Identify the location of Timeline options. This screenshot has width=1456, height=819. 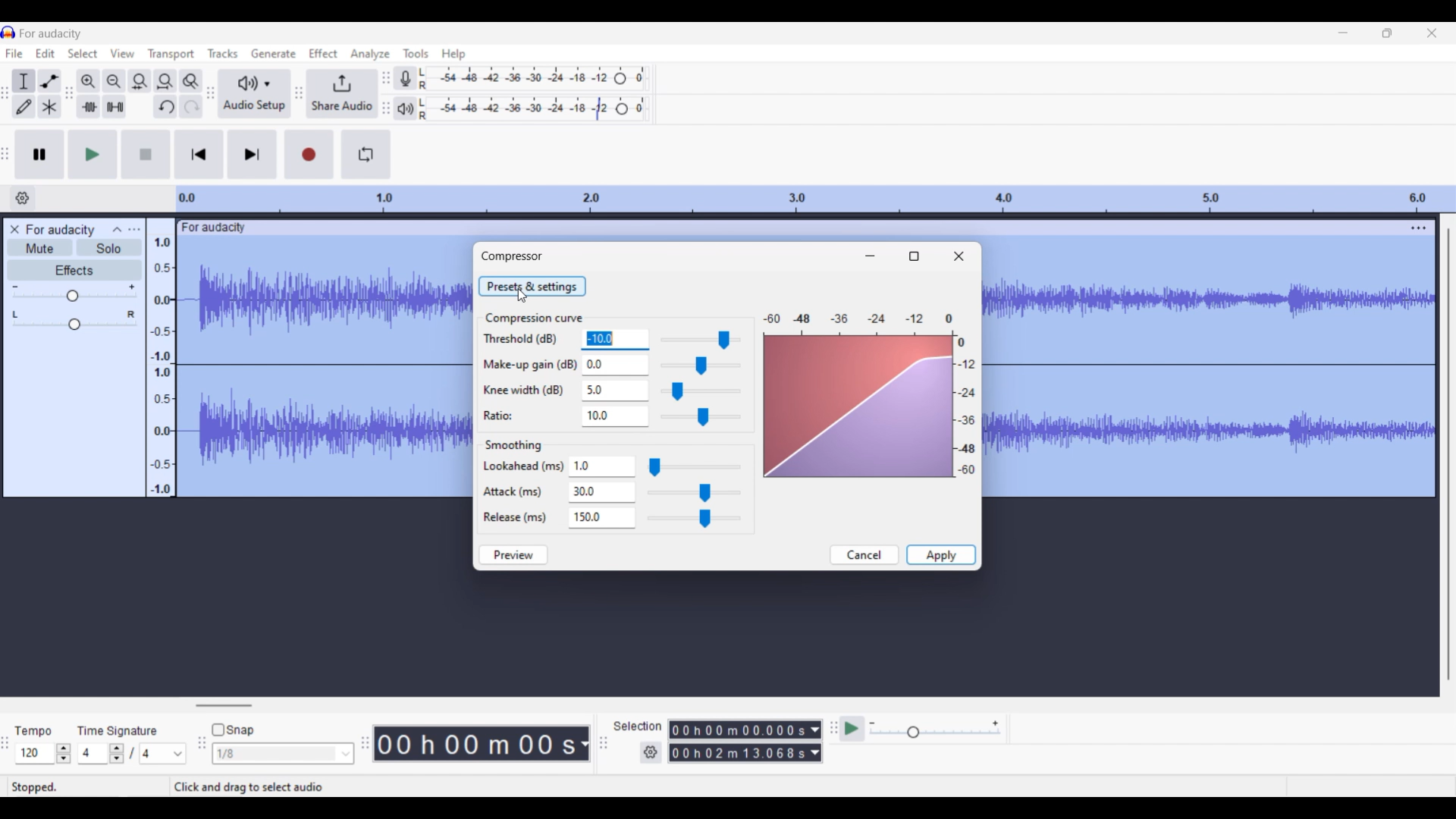
(22, 198).